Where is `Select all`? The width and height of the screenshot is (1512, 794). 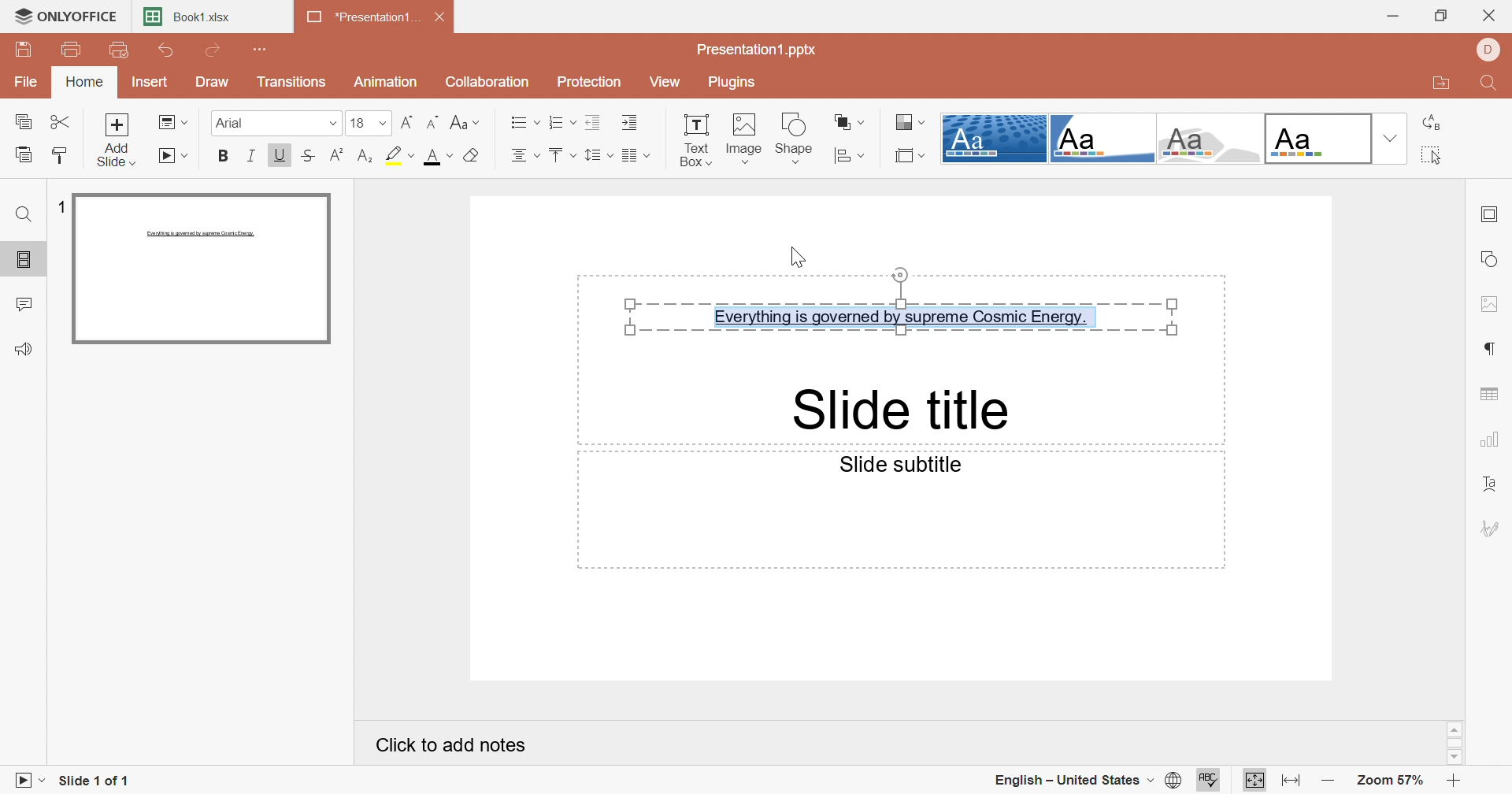
Select all is located at coordinates (1436, 155).